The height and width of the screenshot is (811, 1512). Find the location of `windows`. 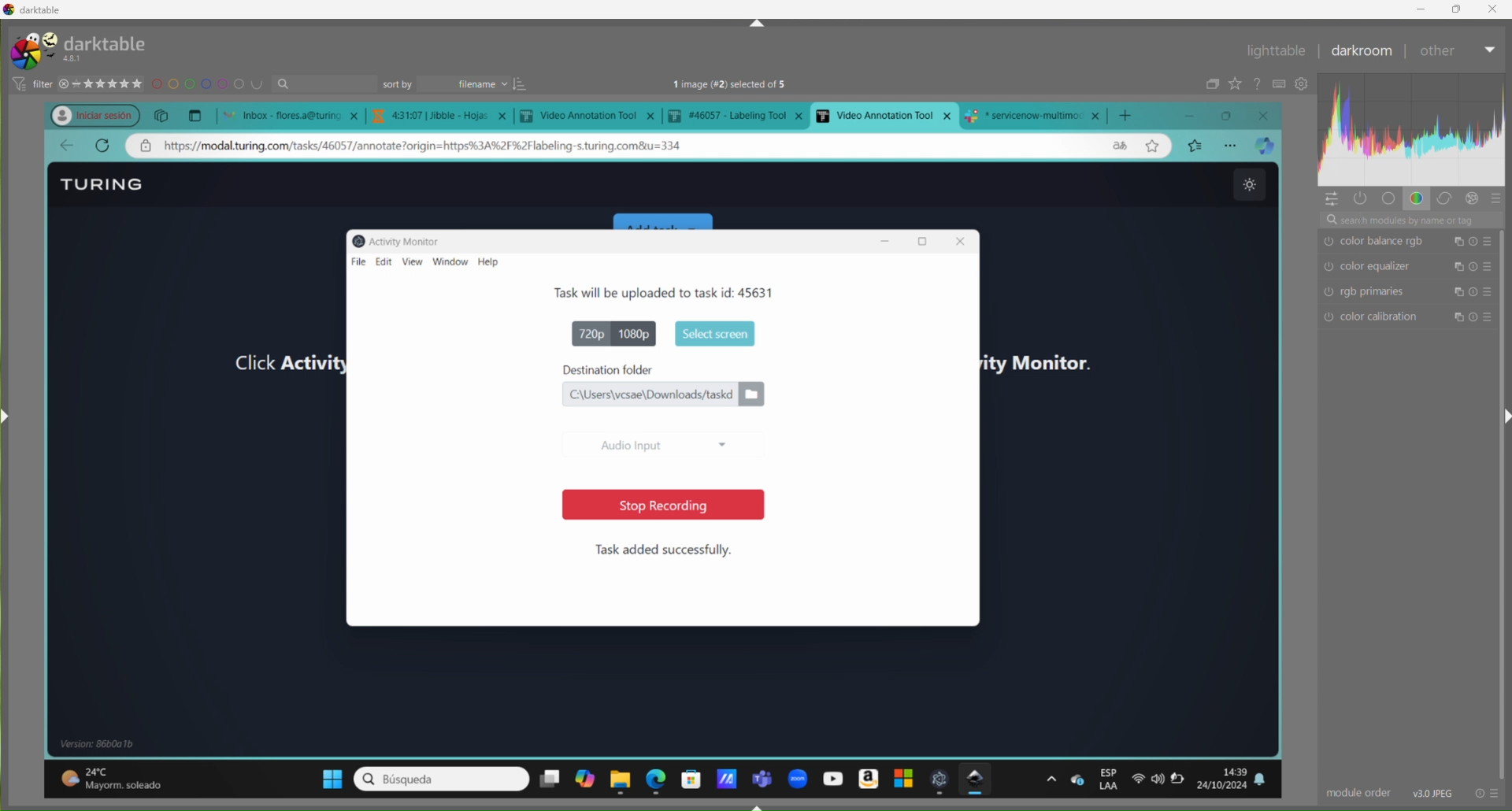

windows is located at coordinates (900, 780).